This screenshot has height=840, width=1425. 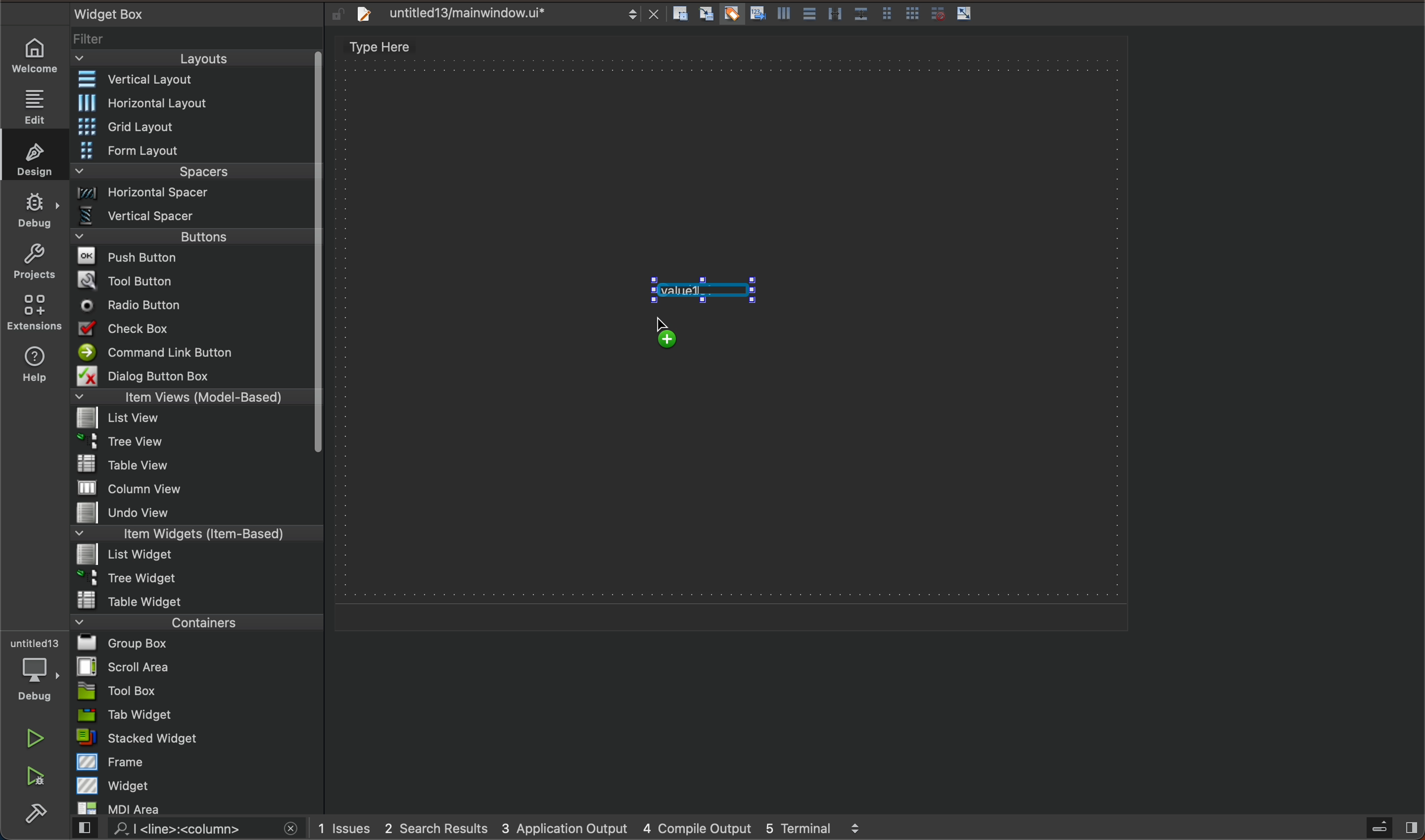 I want to click on start typing, so click(x=701, y=290).